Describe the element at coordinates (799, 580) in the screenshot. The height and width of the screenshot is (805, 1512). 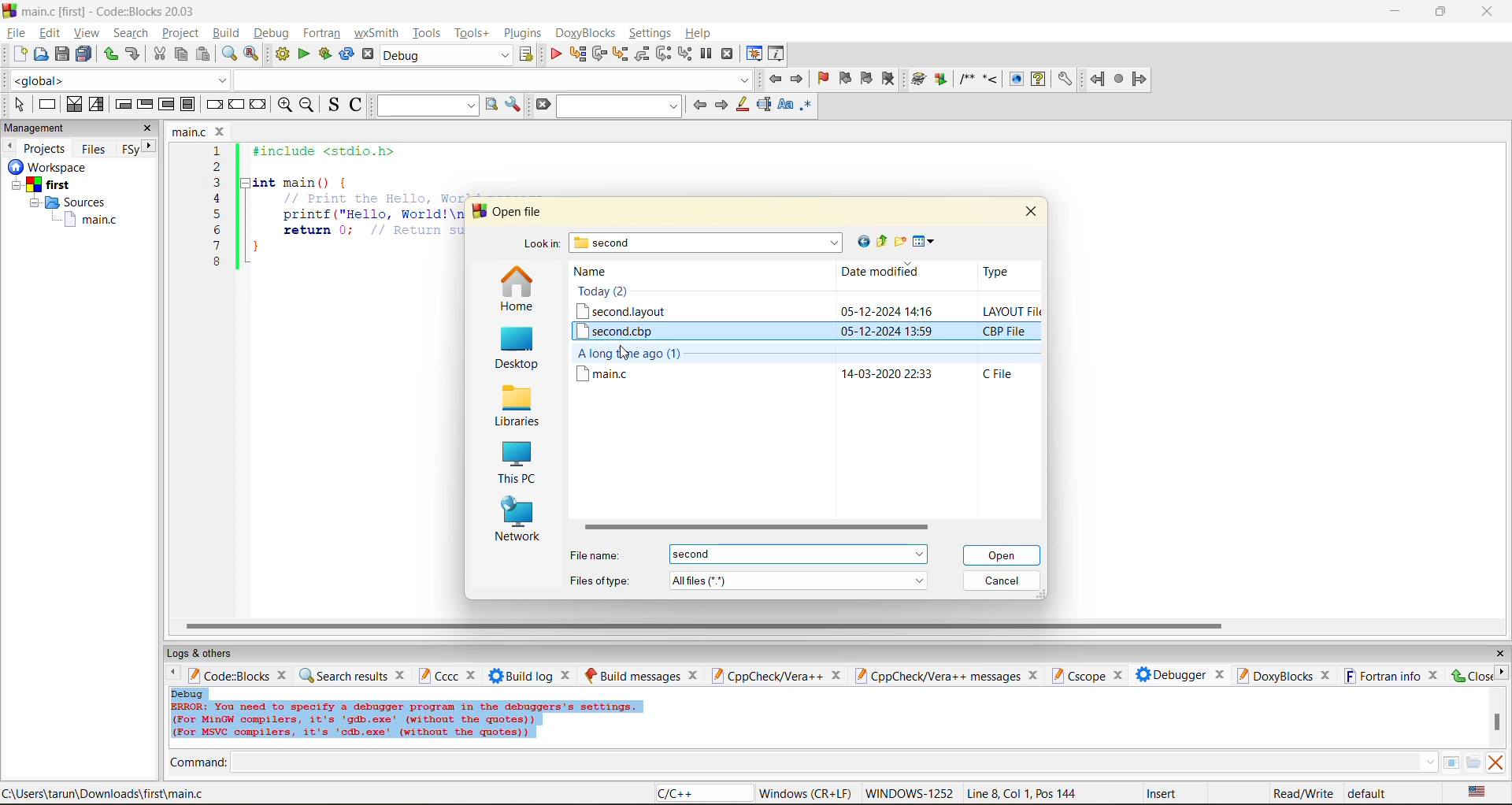
I see `file type menu` at that location.